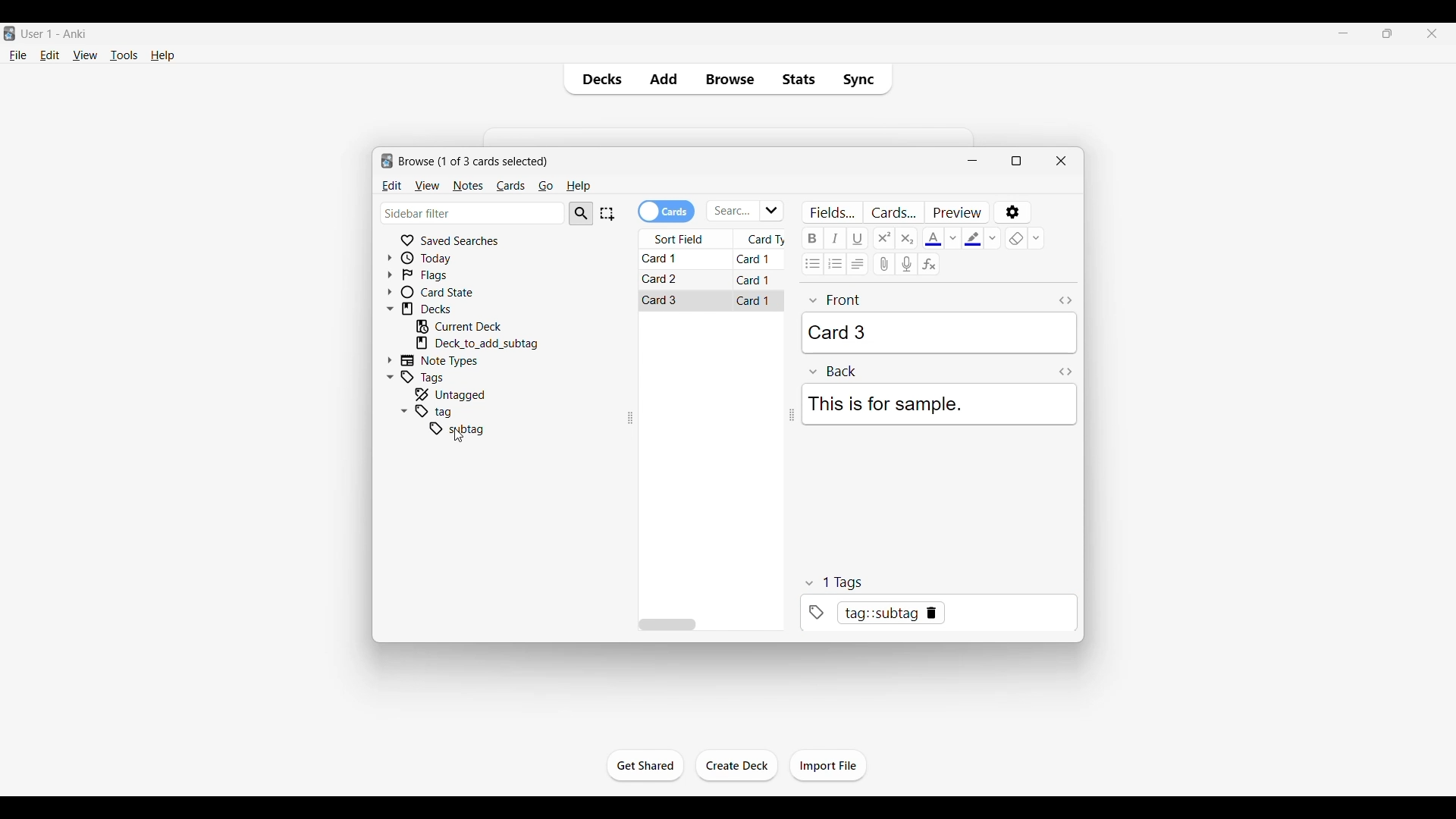 This screenshot has width=1456, height=819. I want to click on Click to see list, so click(773, 211).